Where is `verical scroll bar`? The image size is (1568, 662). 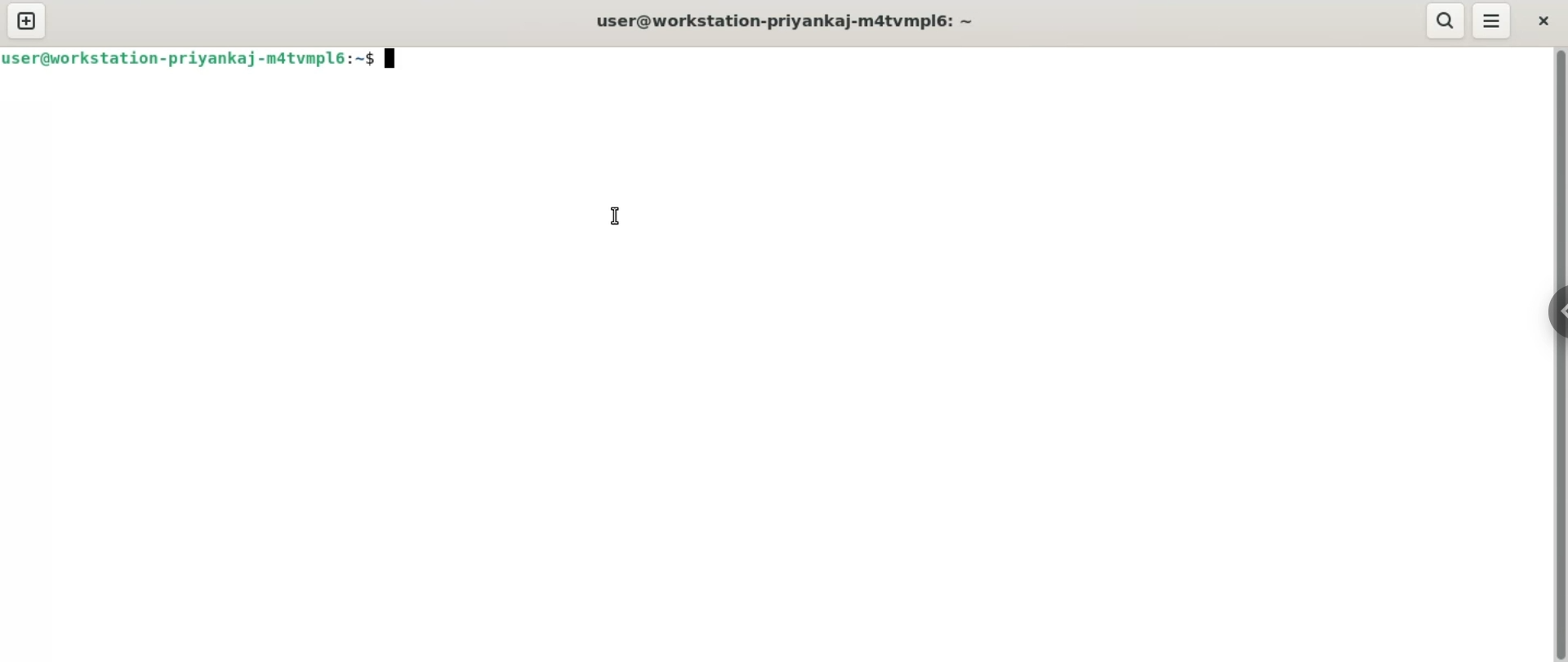
verical scroll bar is located at coordinates (1558, 353).